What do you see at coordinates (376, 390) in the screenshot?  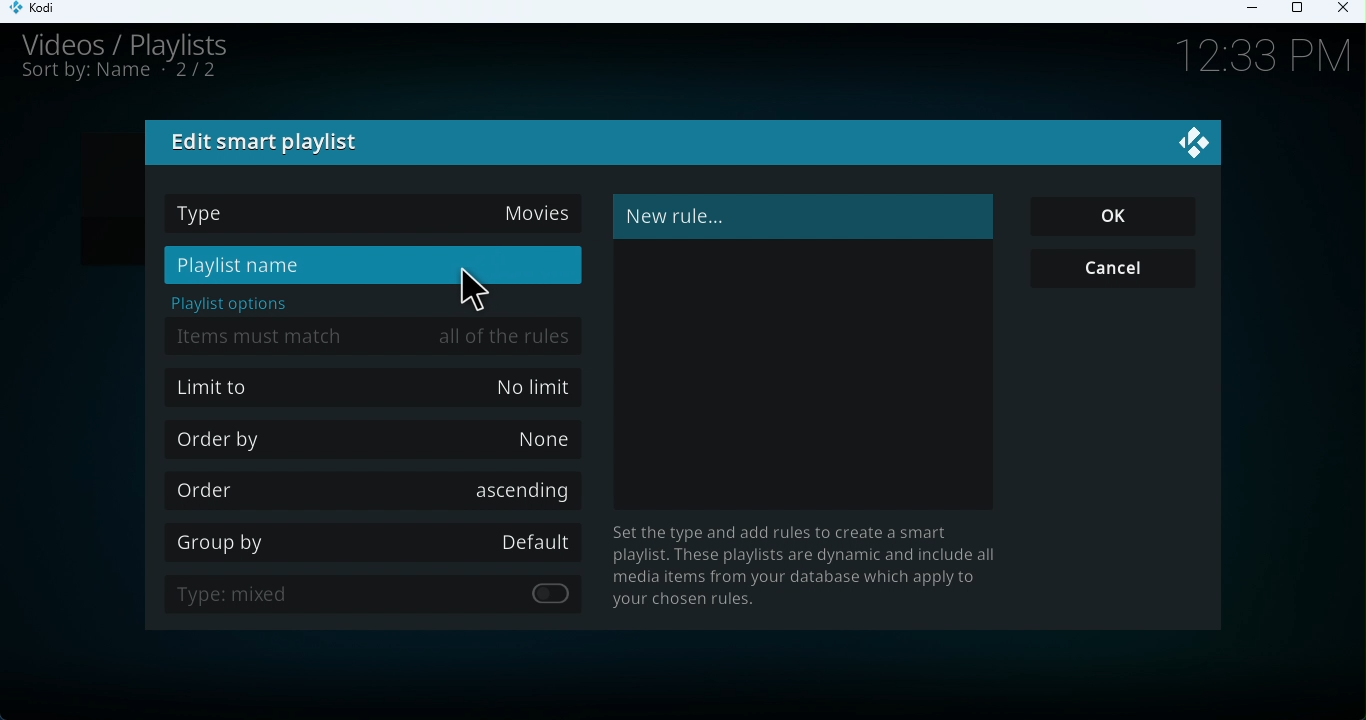 I see `Limit to` at bounding box center [376, 390].